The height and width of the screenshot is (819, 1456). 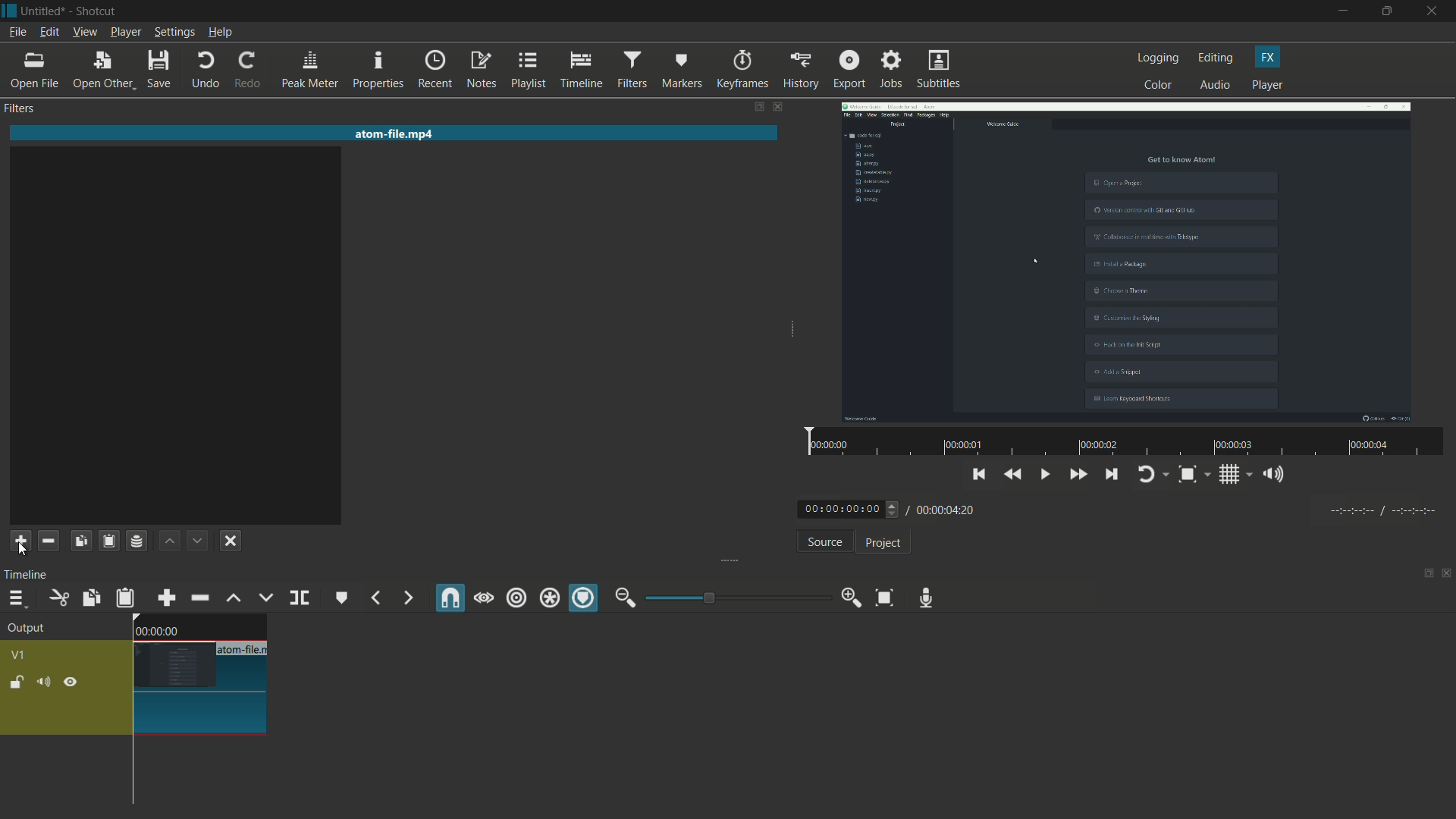 What do you see at coordinates (127, 32) in the screenshot?
I see `player menu` at bounding box center [127, 32].